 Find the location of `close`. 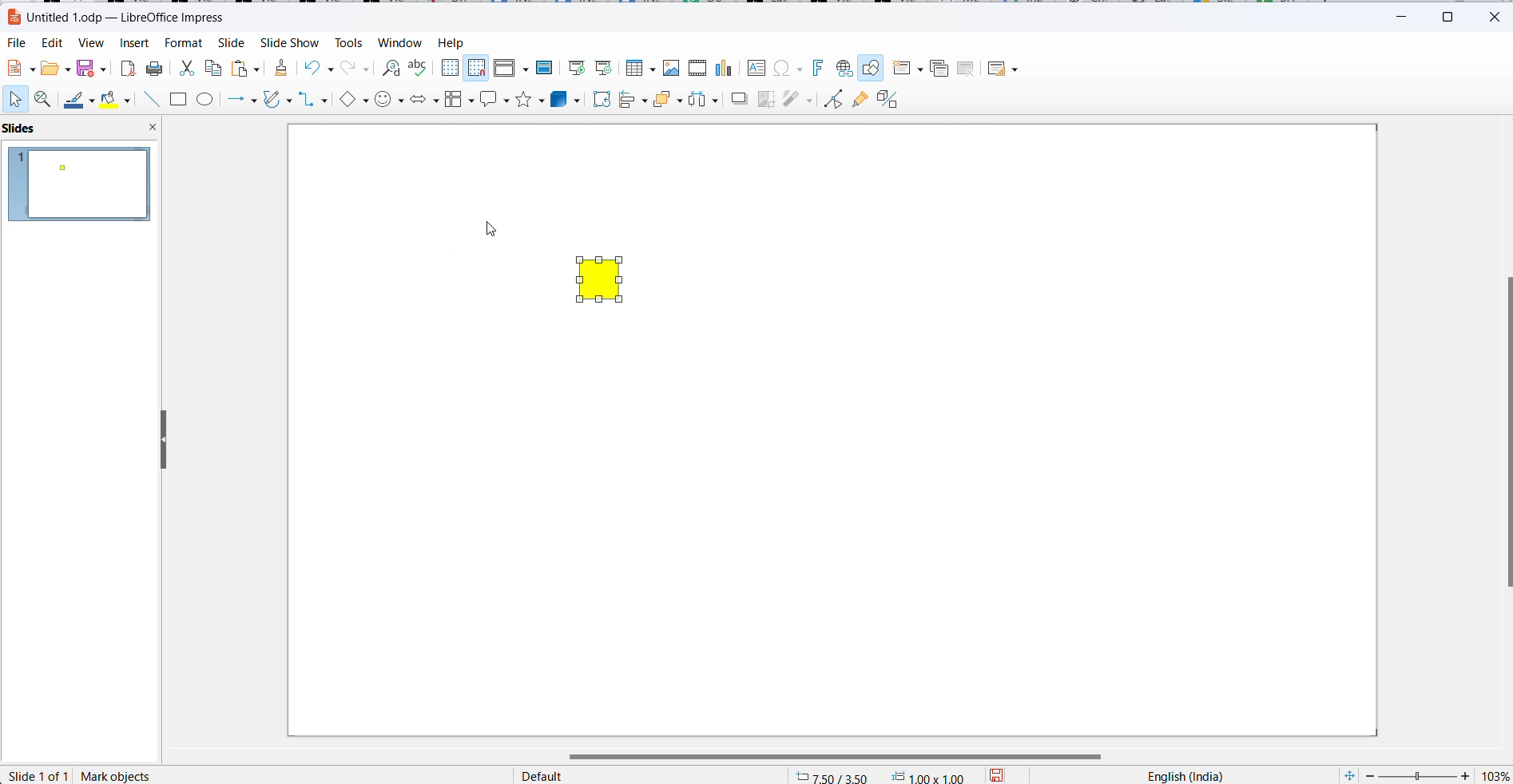

close is located at coordinates (1495, 16).